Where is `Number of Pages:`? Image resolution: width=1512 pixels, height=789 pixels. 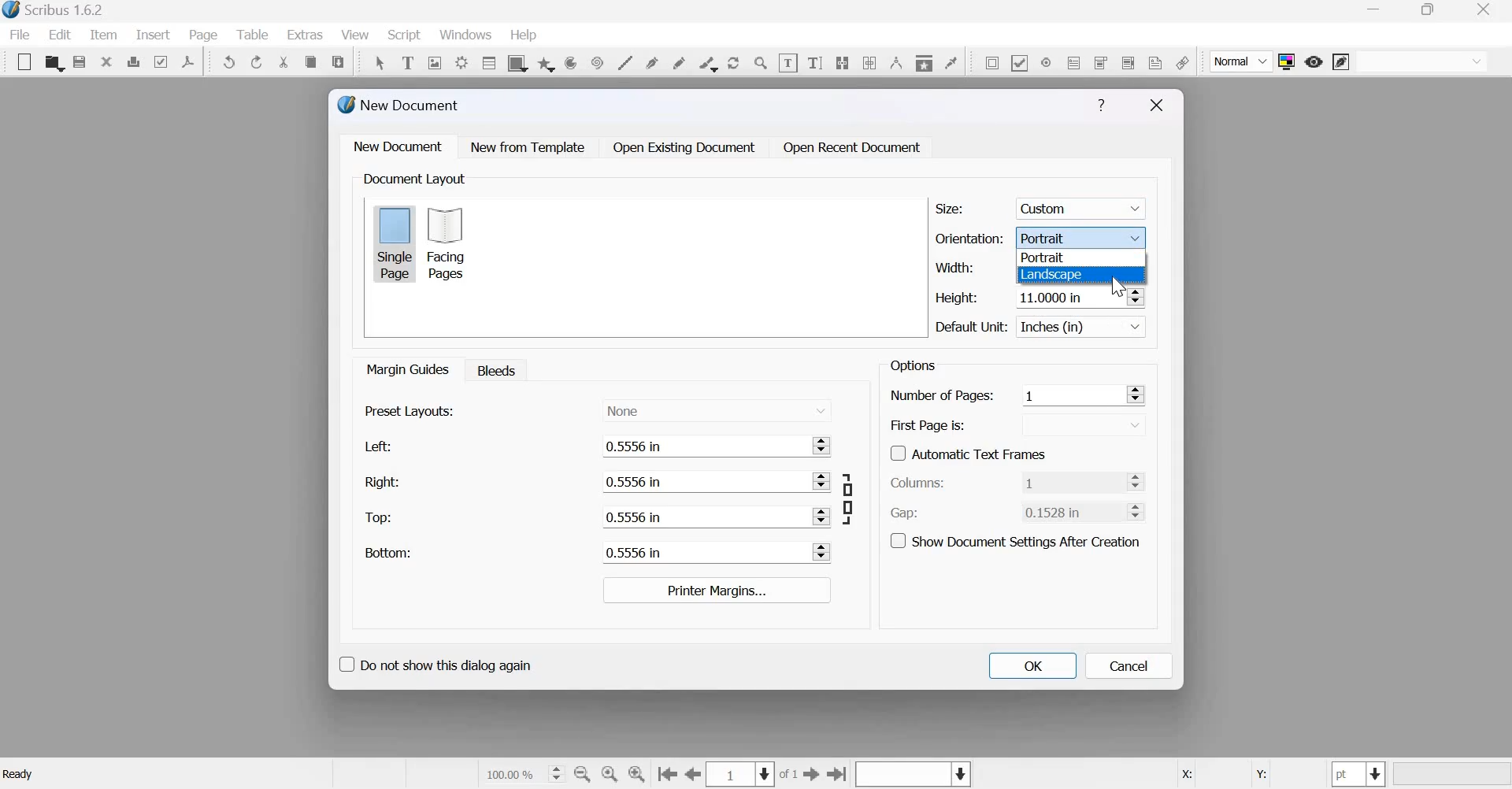 Number of Pages: is located at coordinates (942, 397).